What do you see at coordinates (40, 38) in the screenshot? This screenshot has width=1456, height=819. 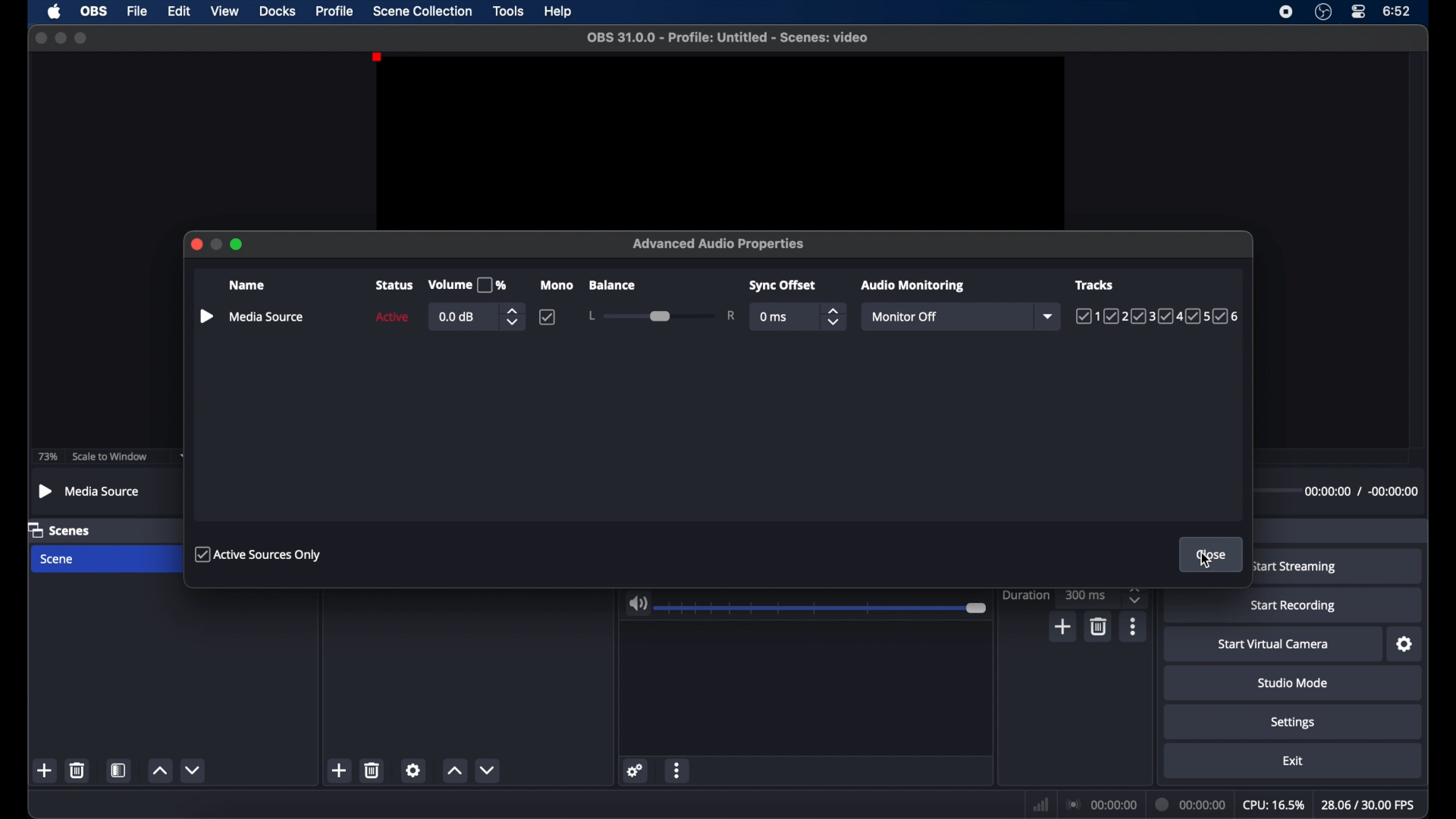 I see `close` at bounding box center [40, 38].